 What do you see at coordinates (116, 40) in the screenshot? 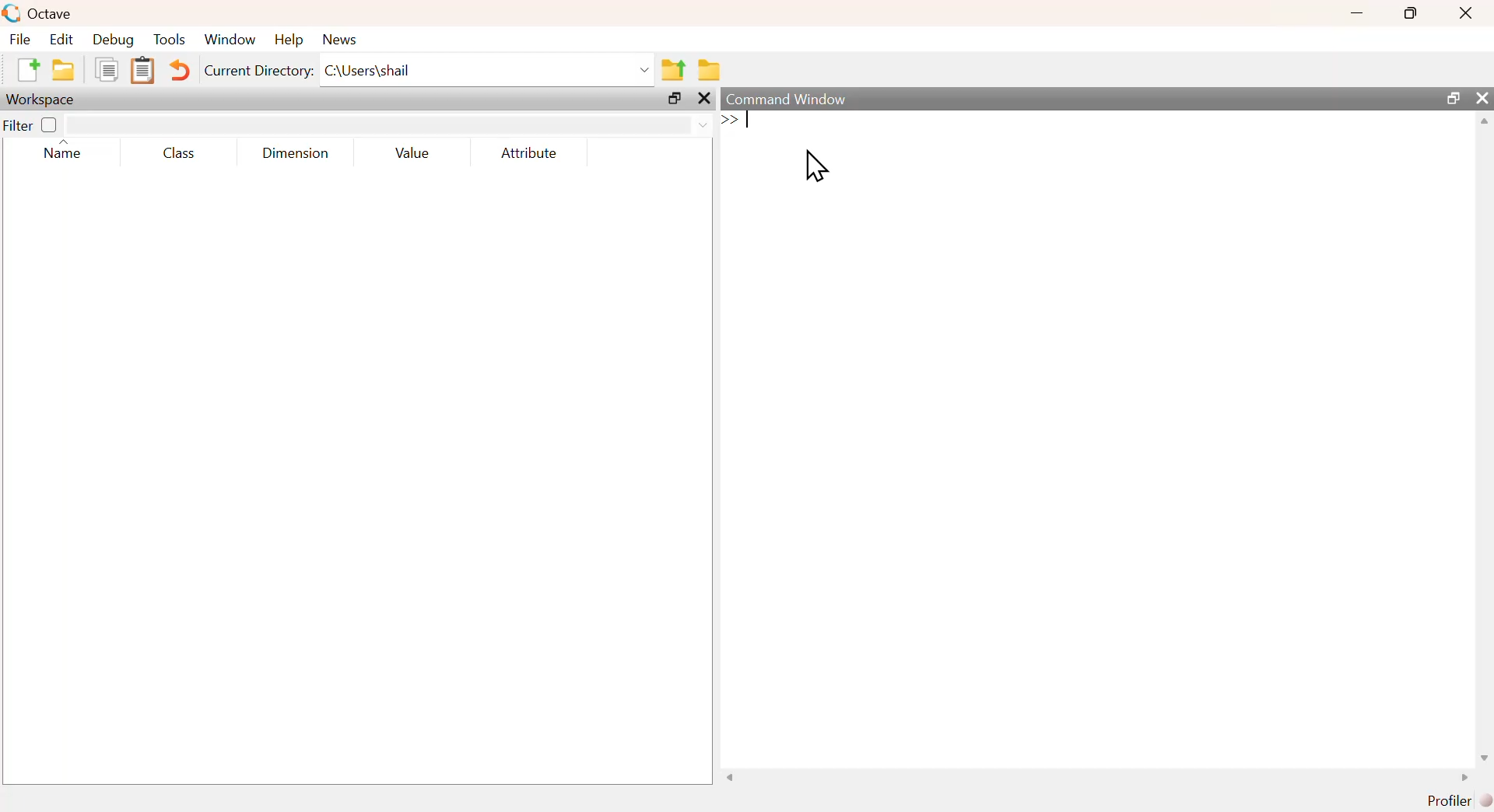
I see `debug` at bounding box center [116, 40].